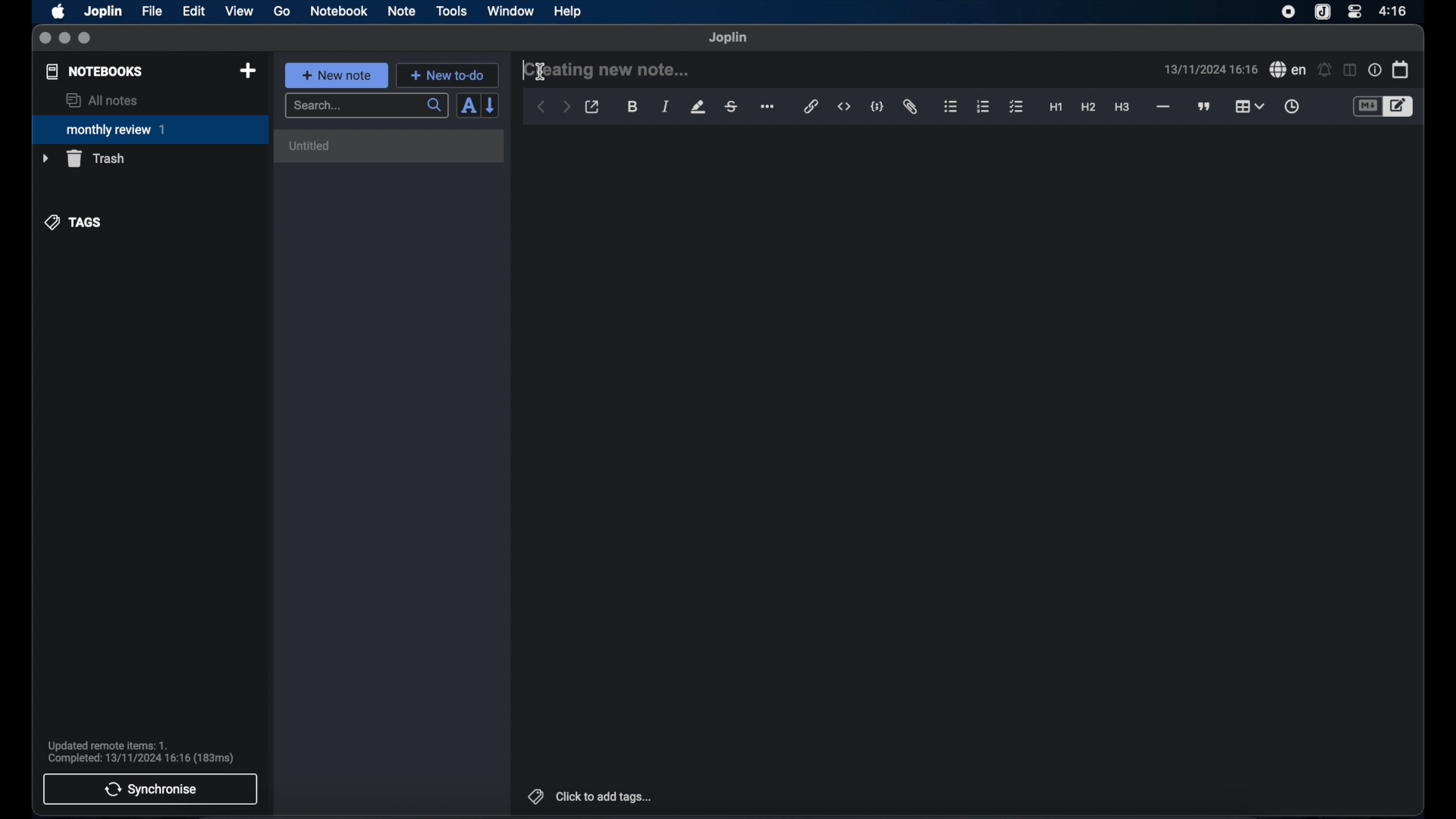 The image size is (1456, 819). I want to click on help, so click(569, 11).